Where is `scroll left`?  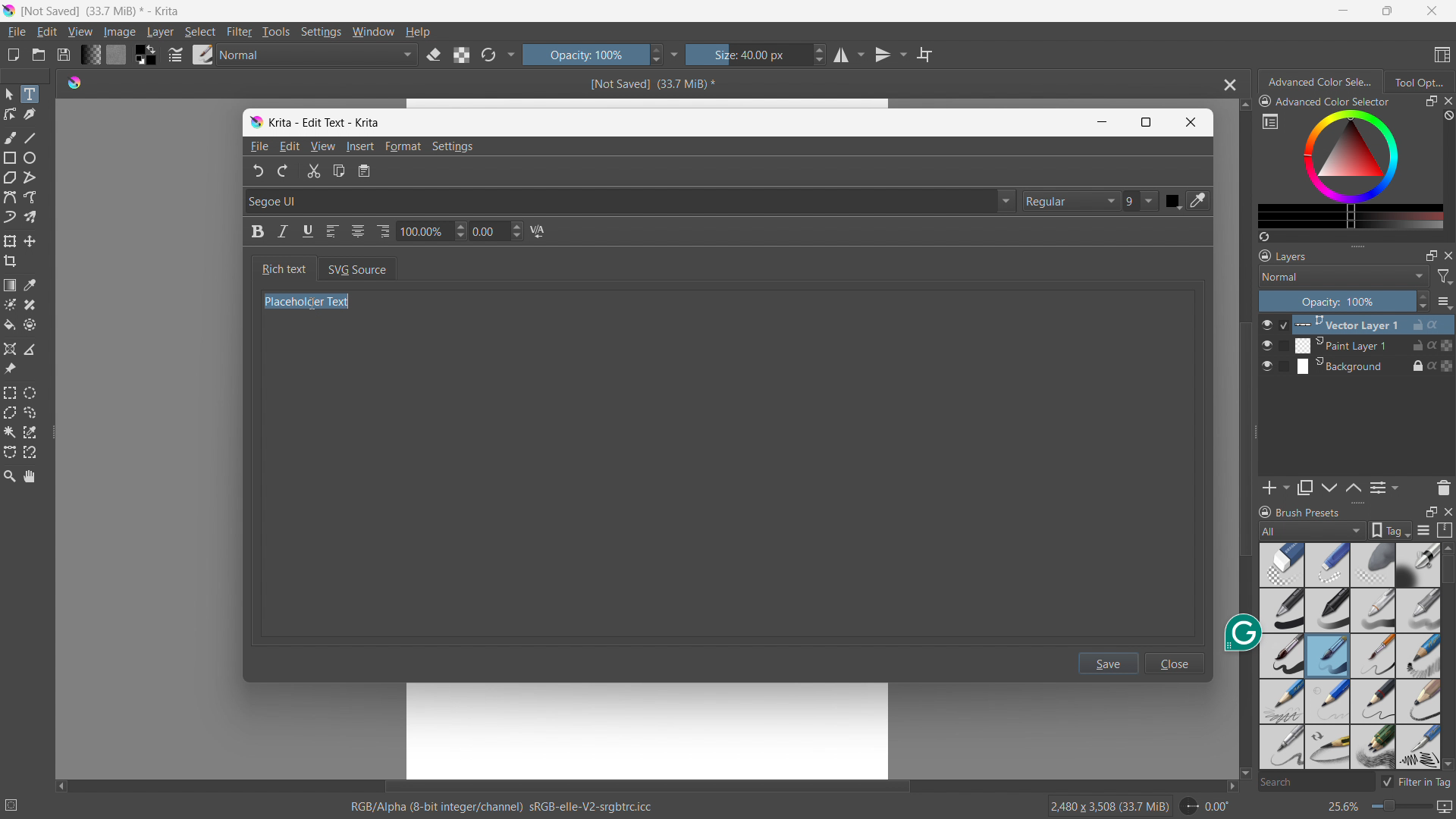 scroll left is located at coordinates (61, 783).